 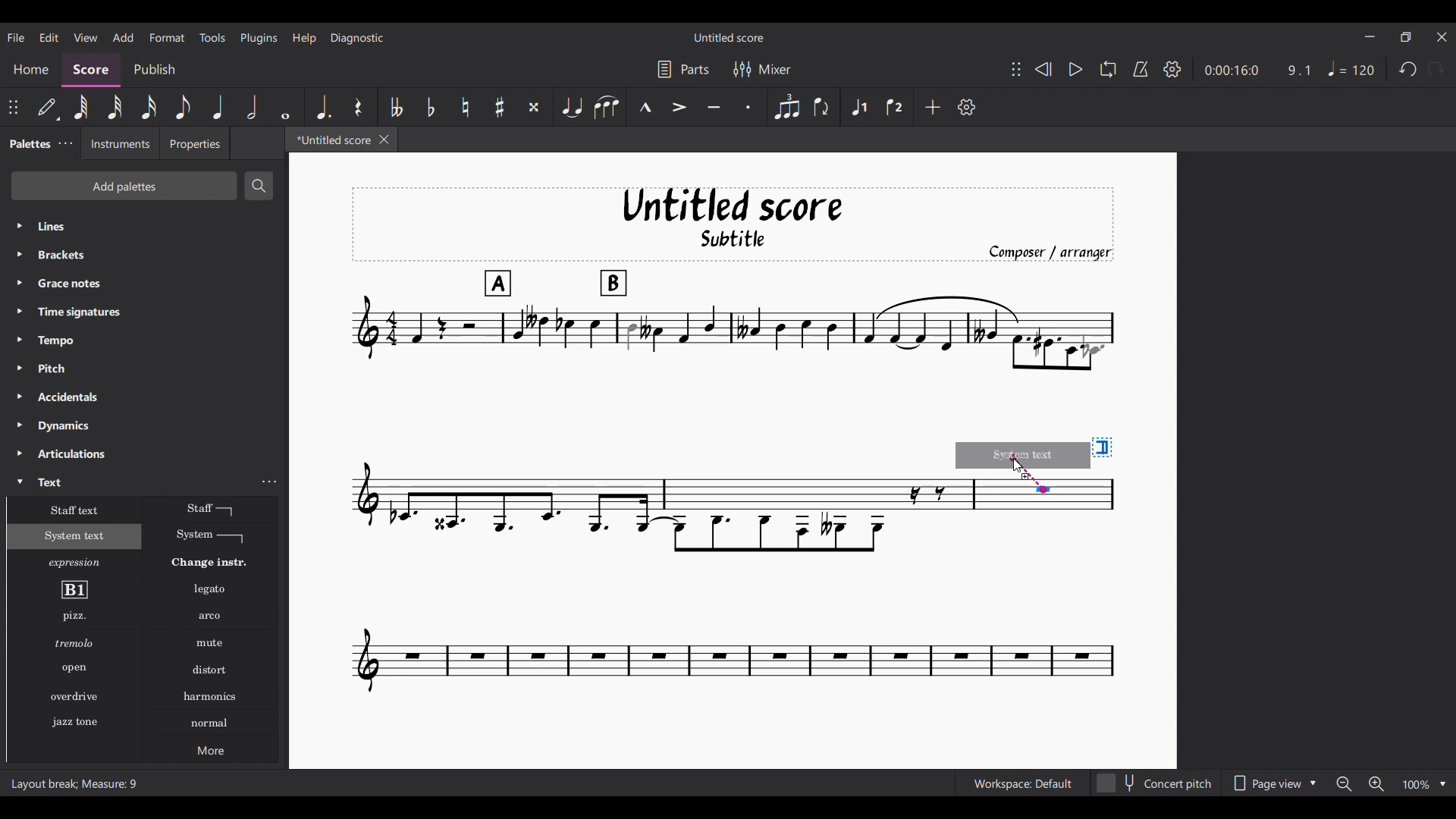 What do you see at coordinates (210, 617) in the screenshot?
I see `Arko` at bounding box center [210, 617].